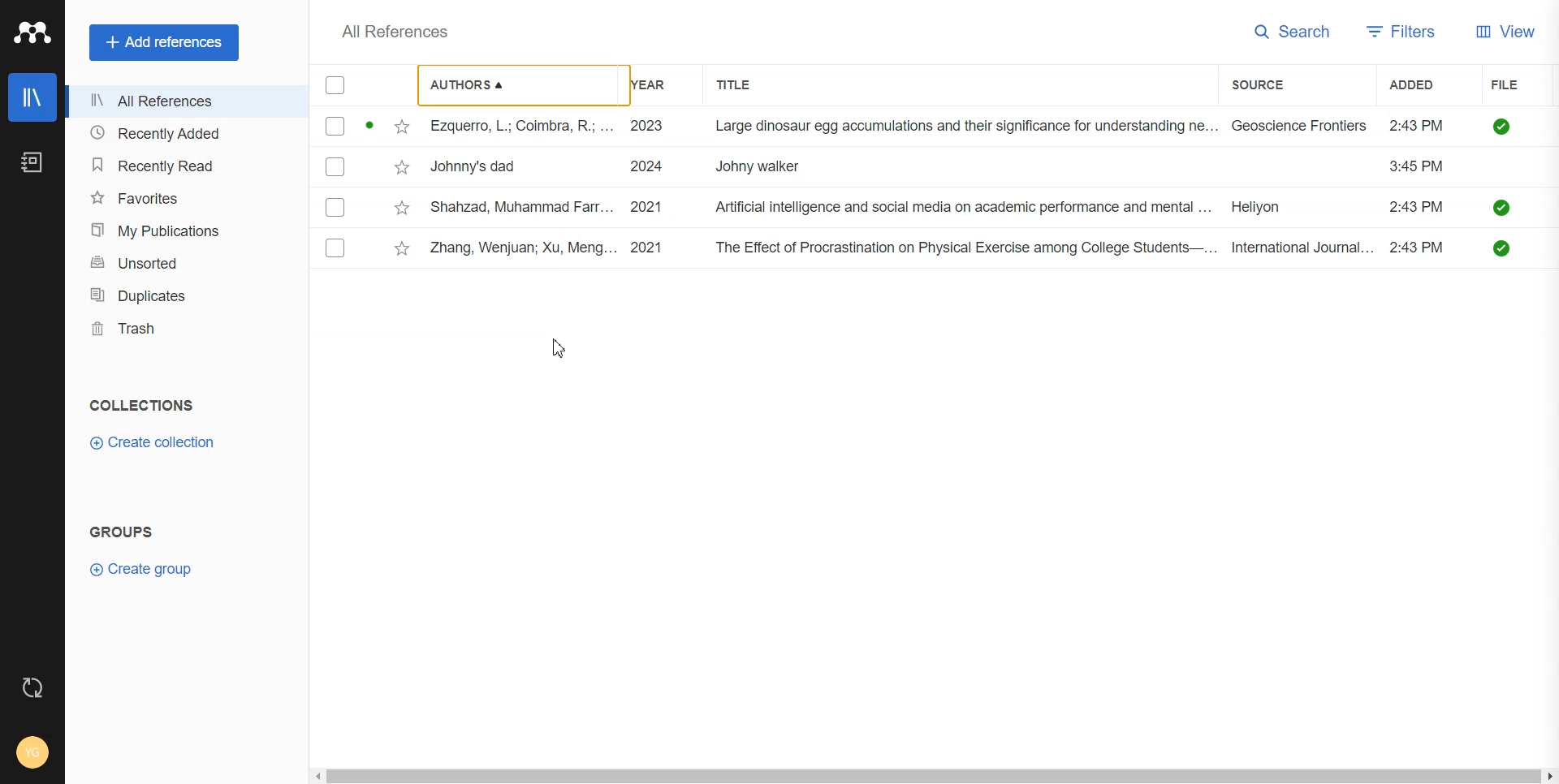  Describe the element at coordinates (751, 84) in the screenshot. I see `Title` at that location.